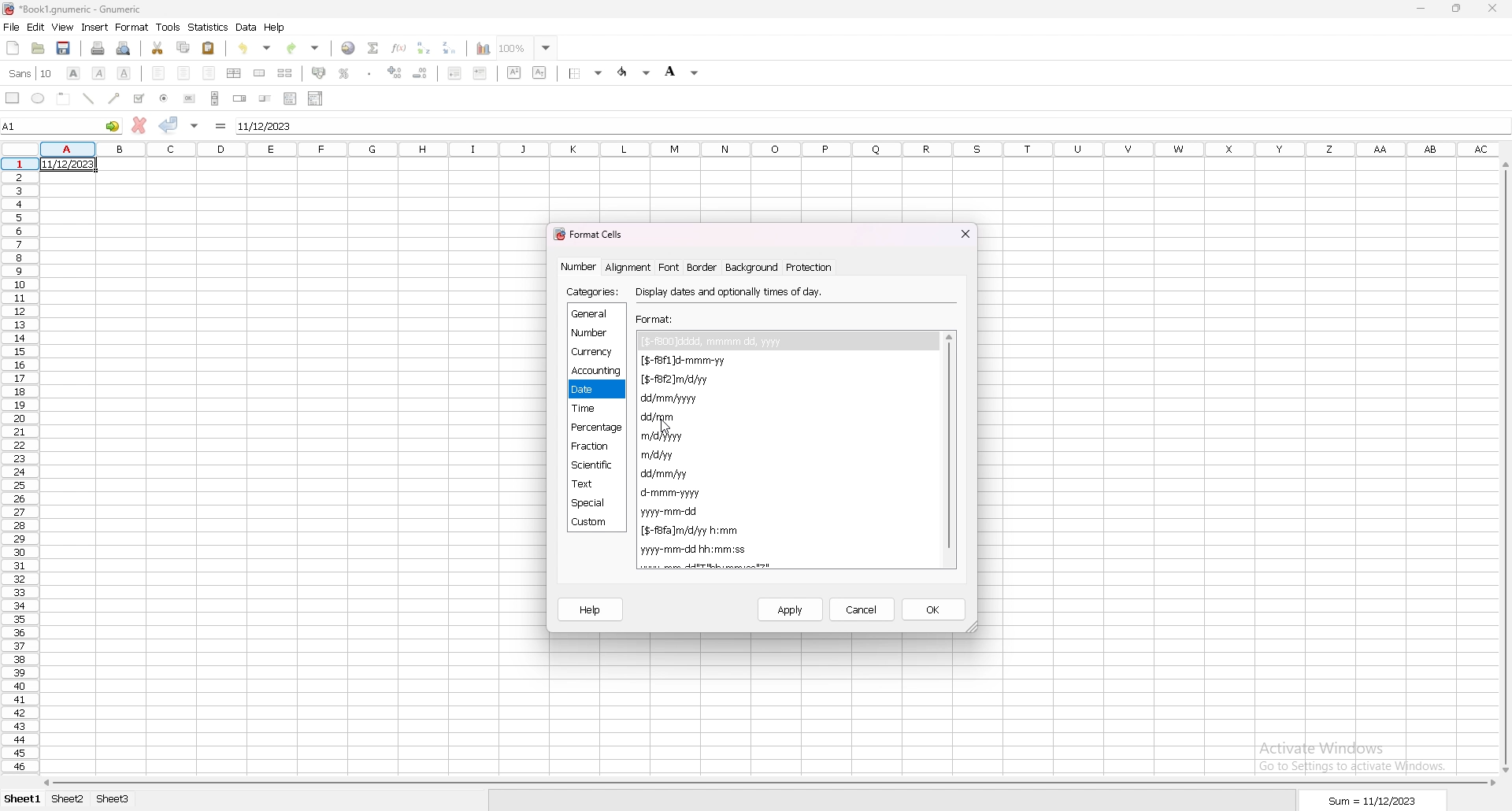 This screenshot has height=811, width=1512. Describe the element at coordinates (750, 267) in the screenshot. I see `background` at that location.